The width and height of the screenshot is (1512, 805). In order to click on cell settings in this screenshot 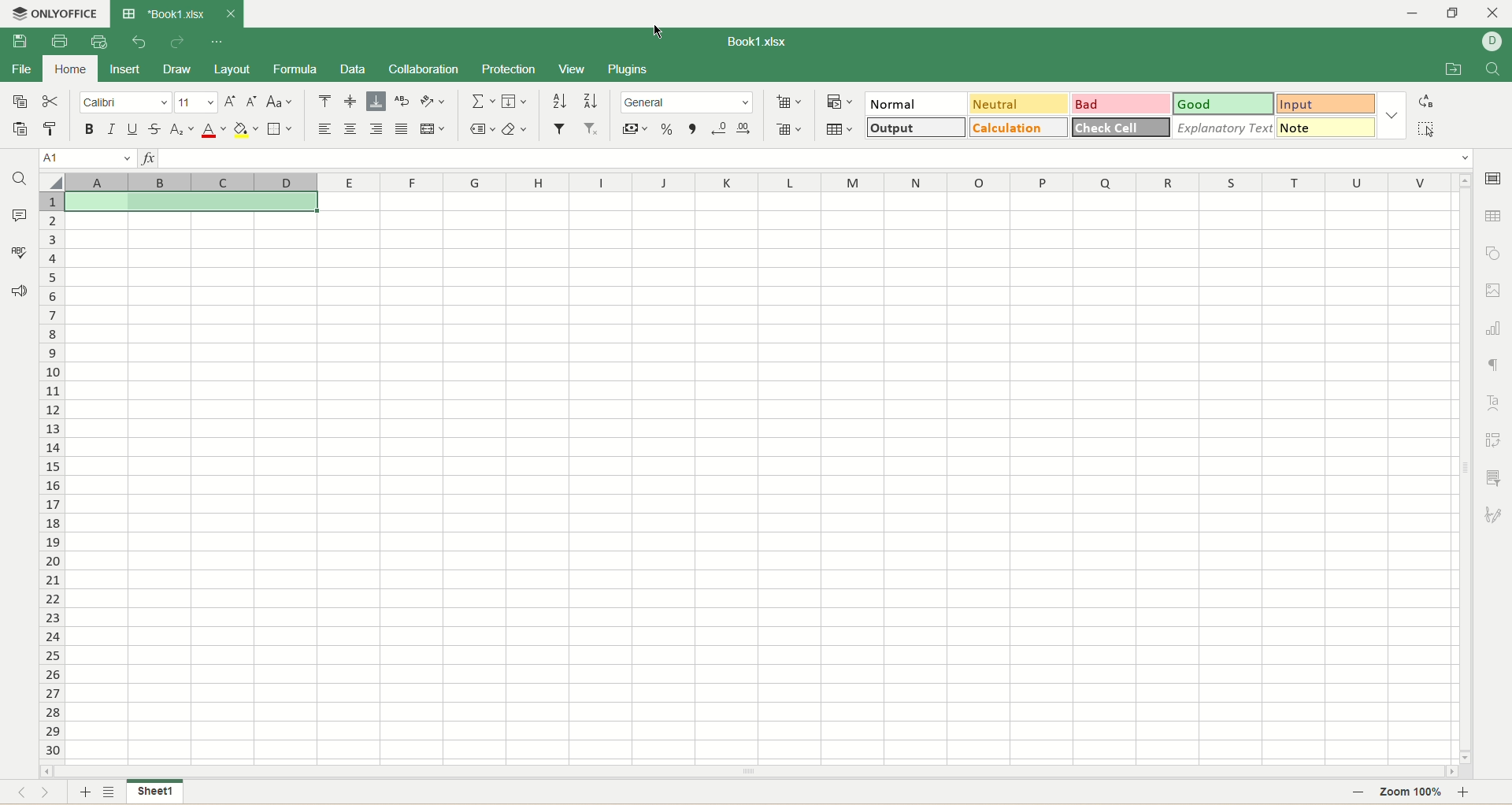, I will do `click(1496, 179)`.